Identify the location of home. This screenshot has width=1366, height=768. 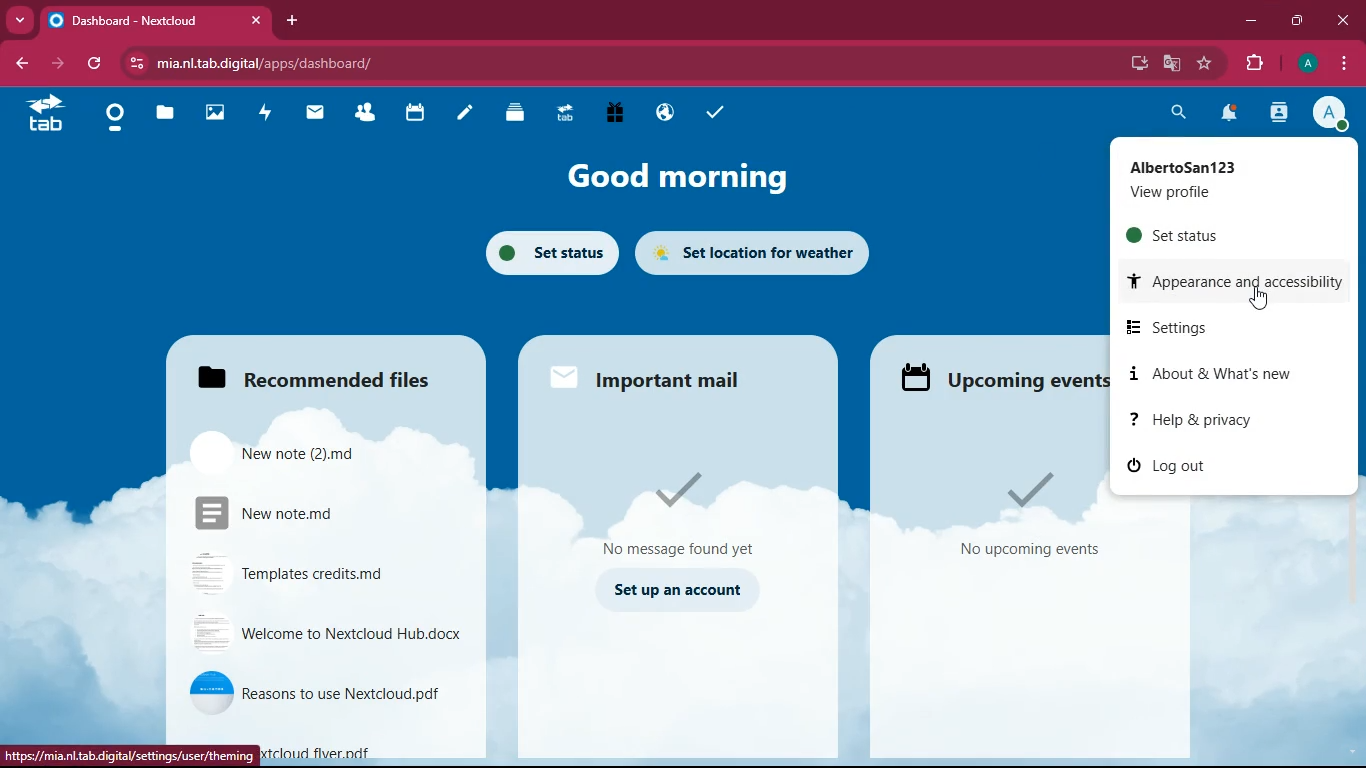
(110, 119).